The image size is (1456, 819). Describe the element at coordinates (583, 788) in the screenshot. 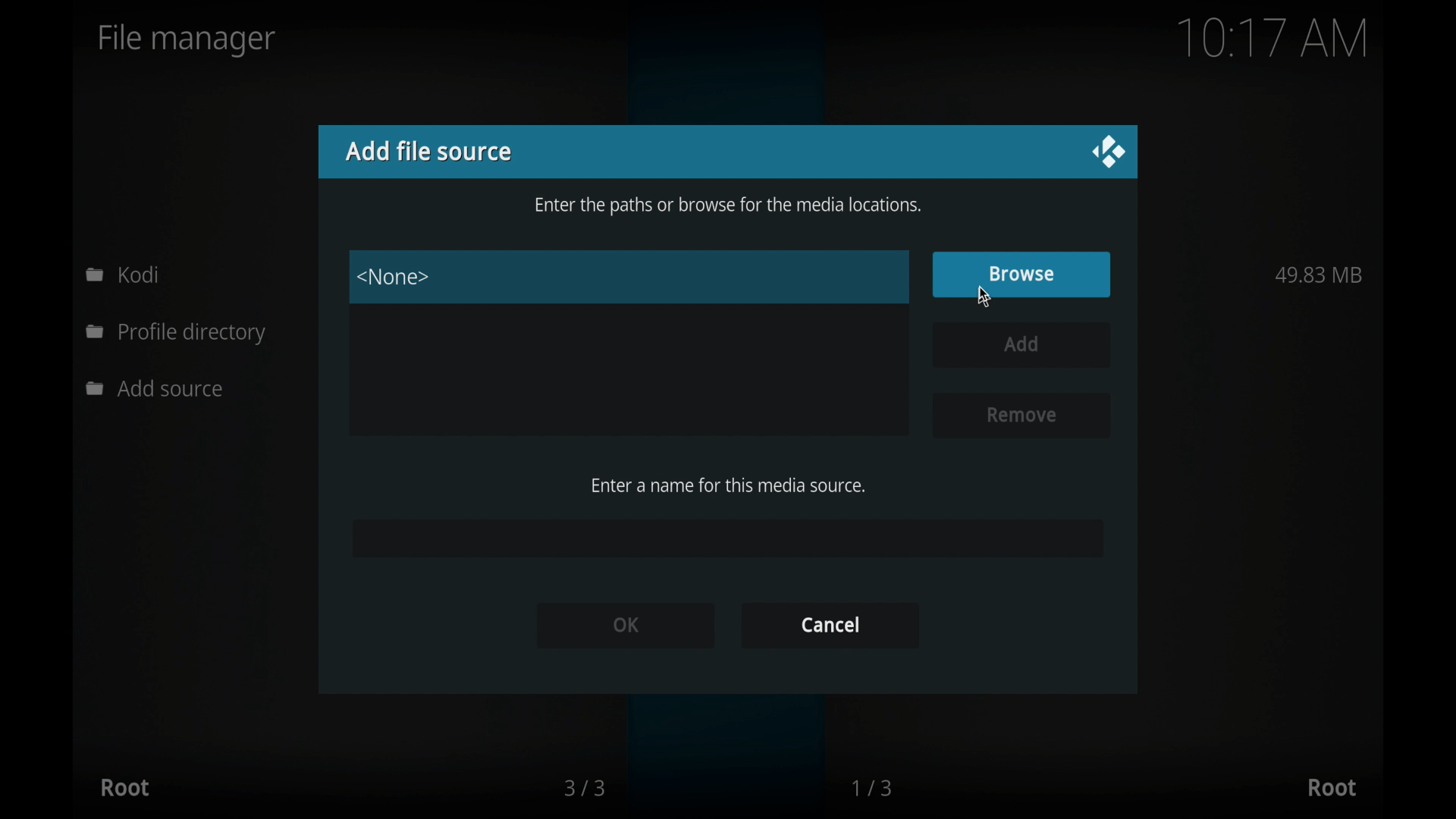

I see `3/3` at that location.